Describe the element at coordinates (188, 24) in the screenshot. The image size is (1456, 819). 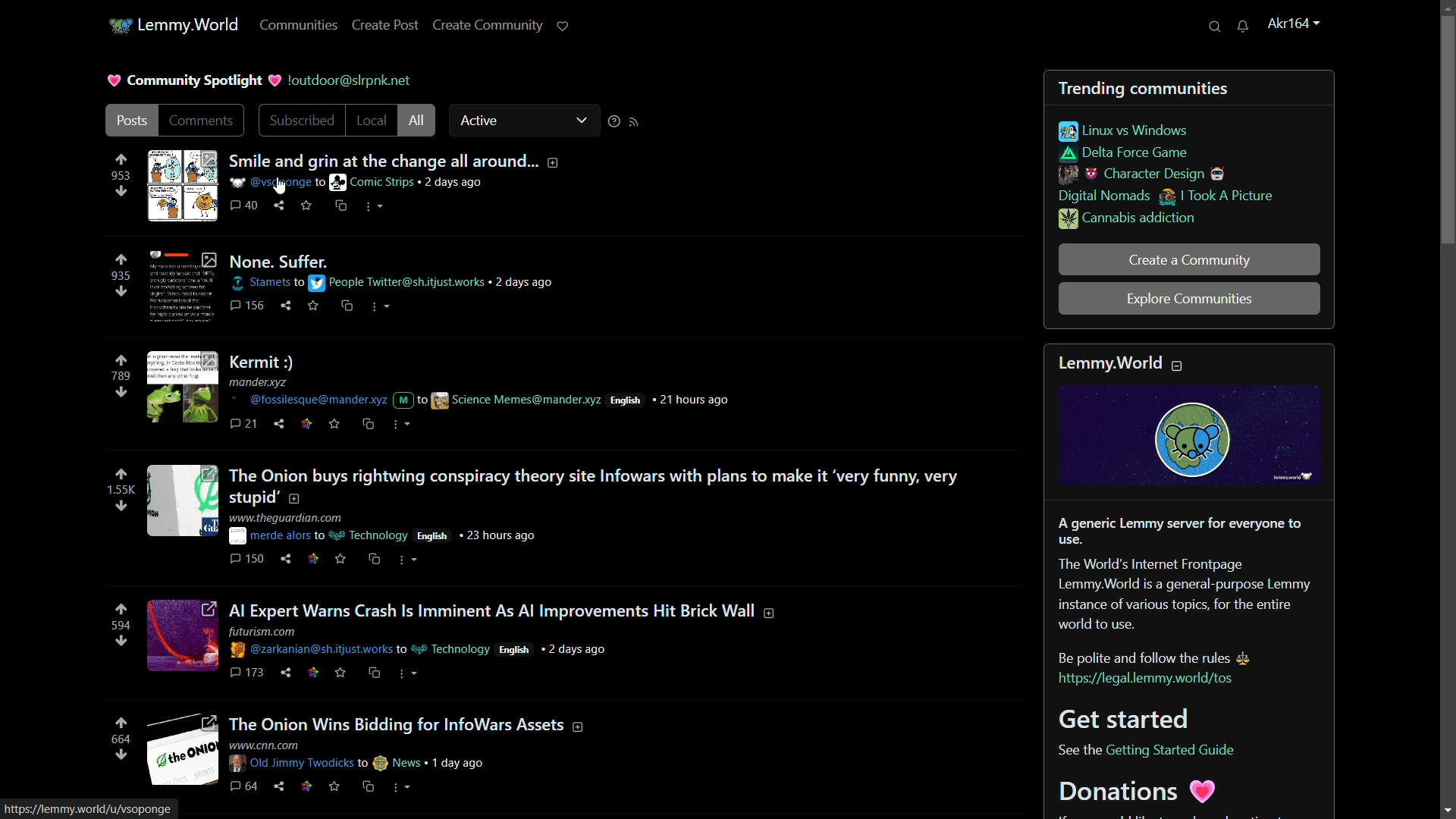
I see `lemmy.world` at that location.